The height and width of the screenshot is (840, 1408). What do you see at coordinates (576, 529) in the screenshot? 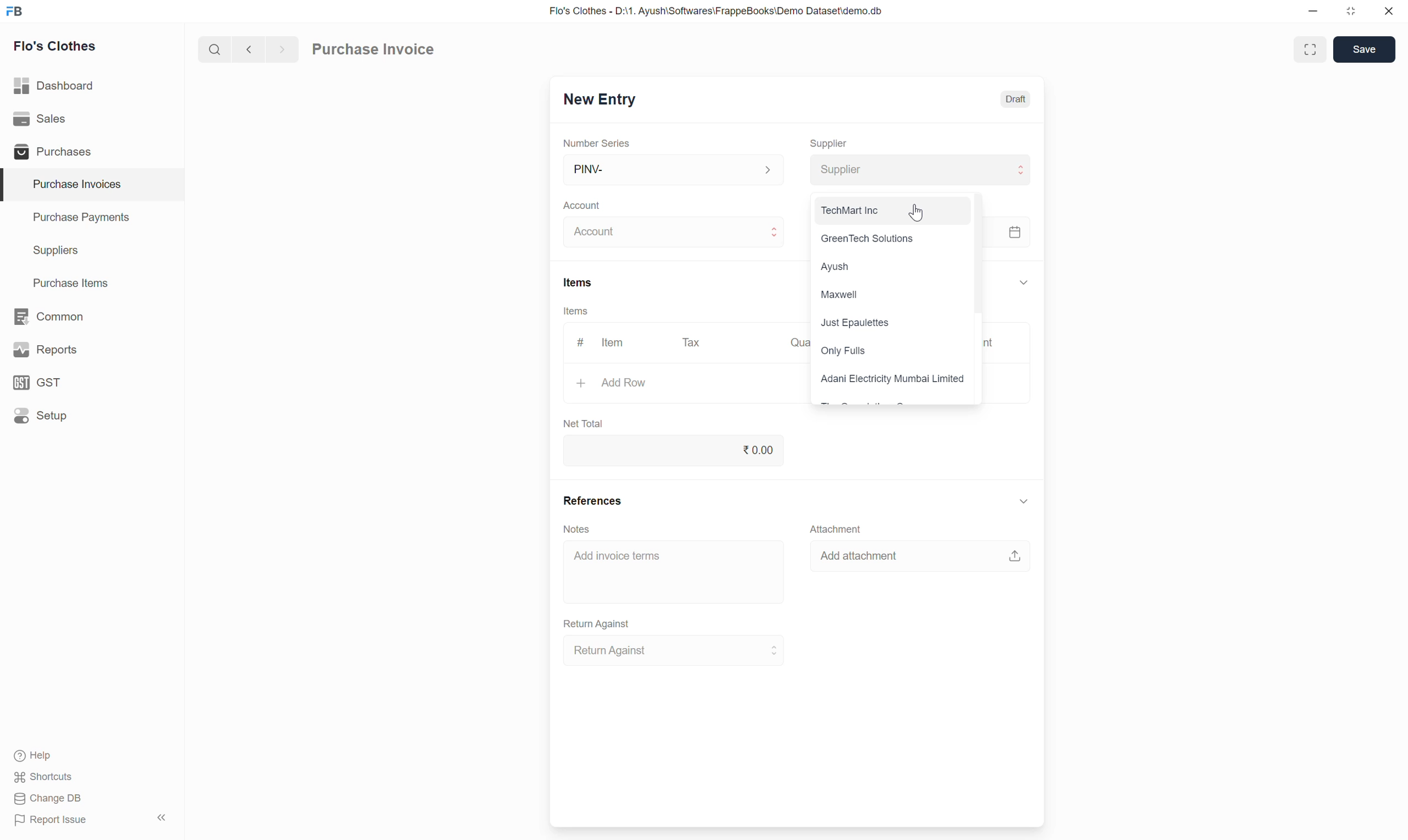
I see `Notes` at bounding box center [576, 529].